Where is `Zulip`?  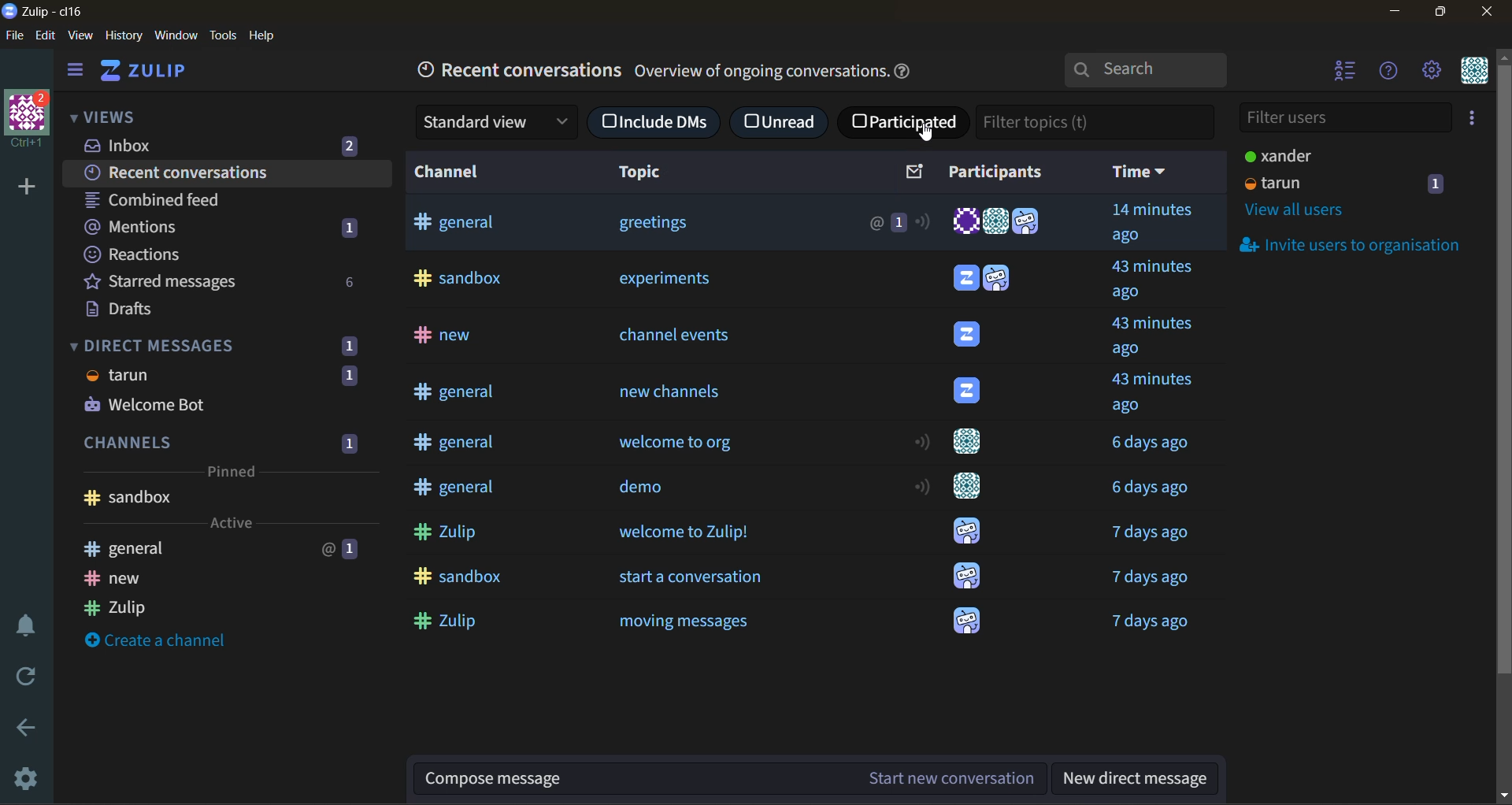
Zulip is located at coordinates (450, 532).